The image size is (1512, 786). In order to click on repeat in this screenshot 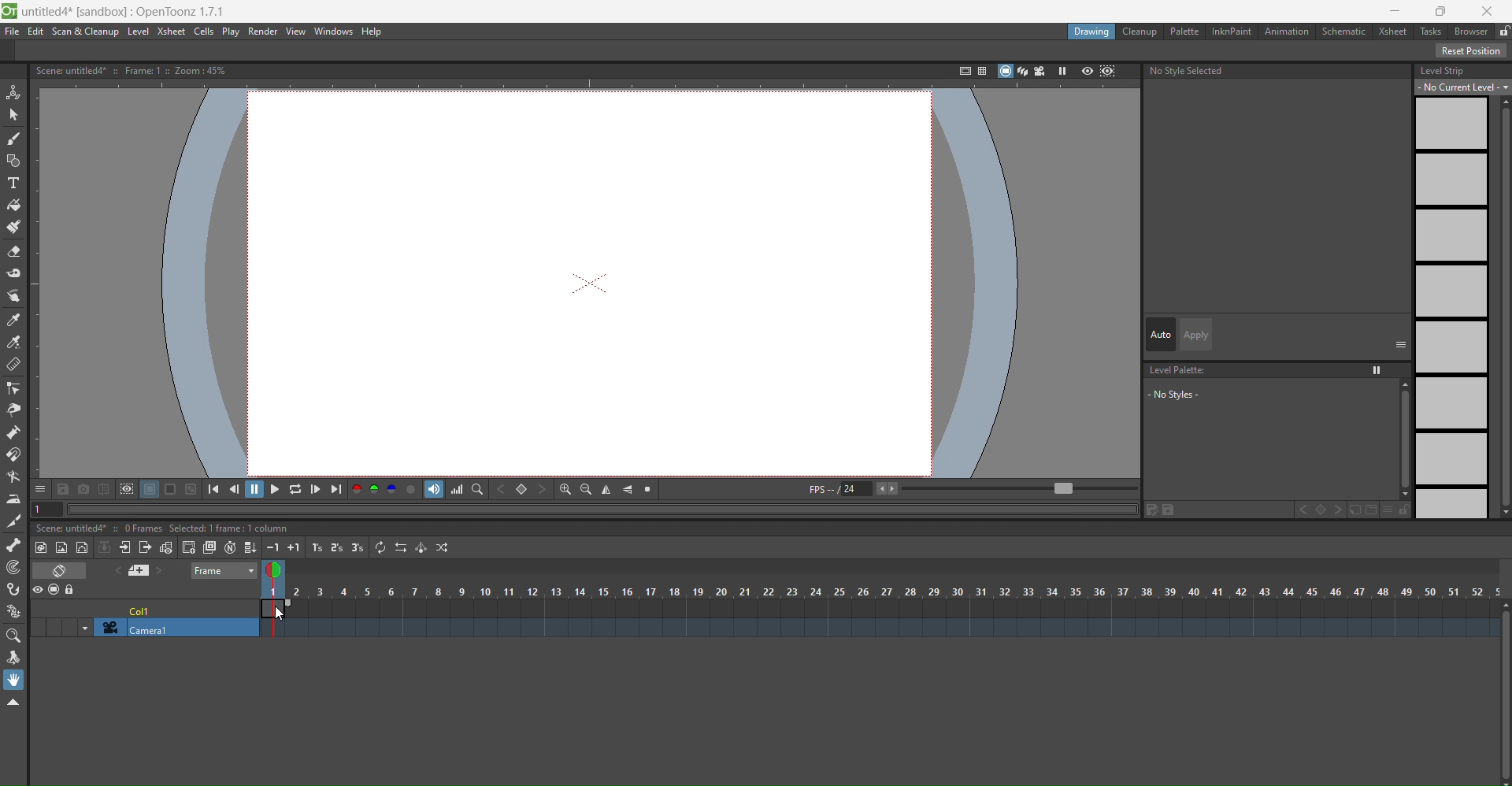, I will do `click(380, 547)`.